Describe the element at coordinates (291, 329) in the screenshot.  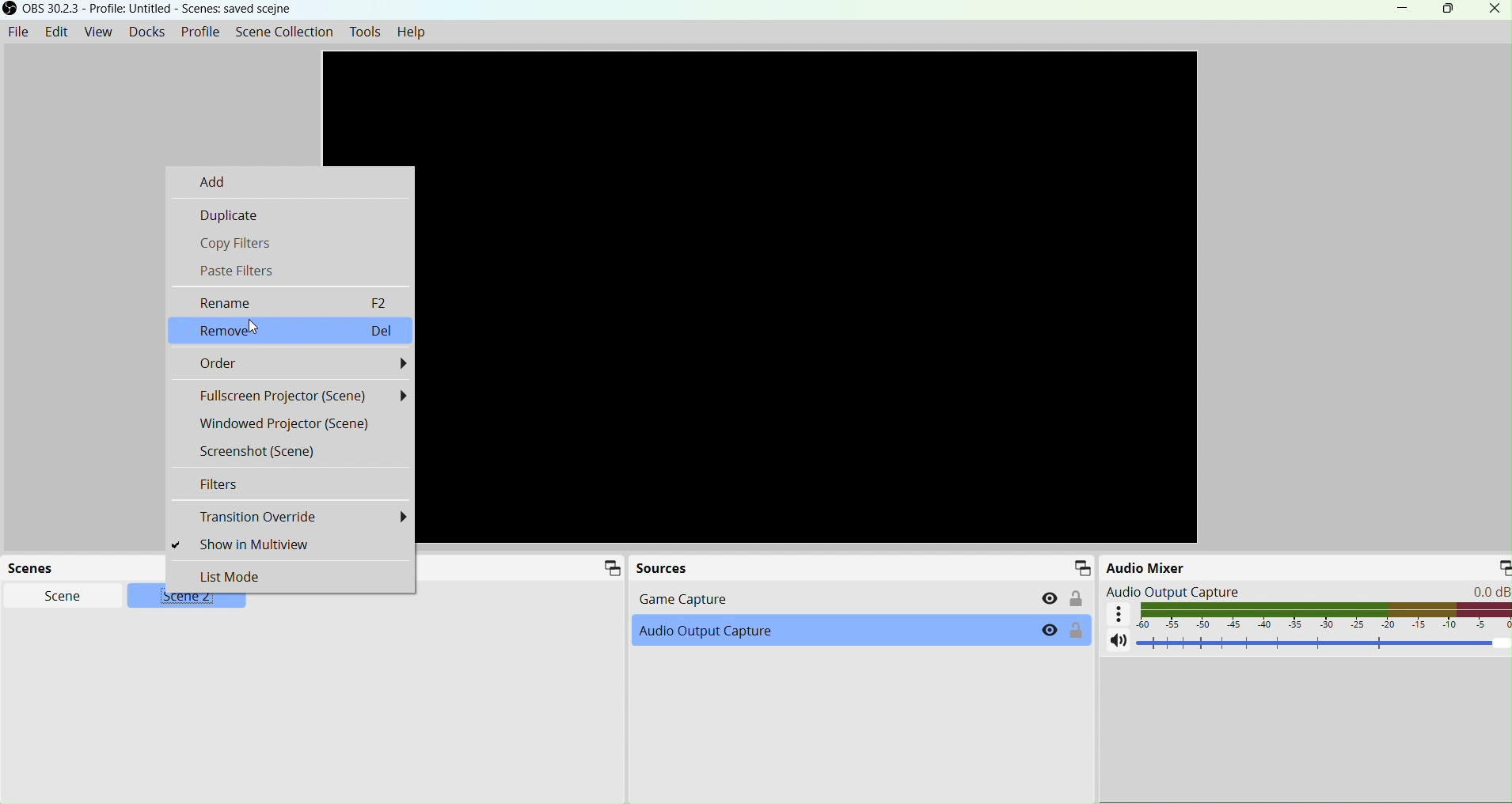
I see `Remove` at that location.